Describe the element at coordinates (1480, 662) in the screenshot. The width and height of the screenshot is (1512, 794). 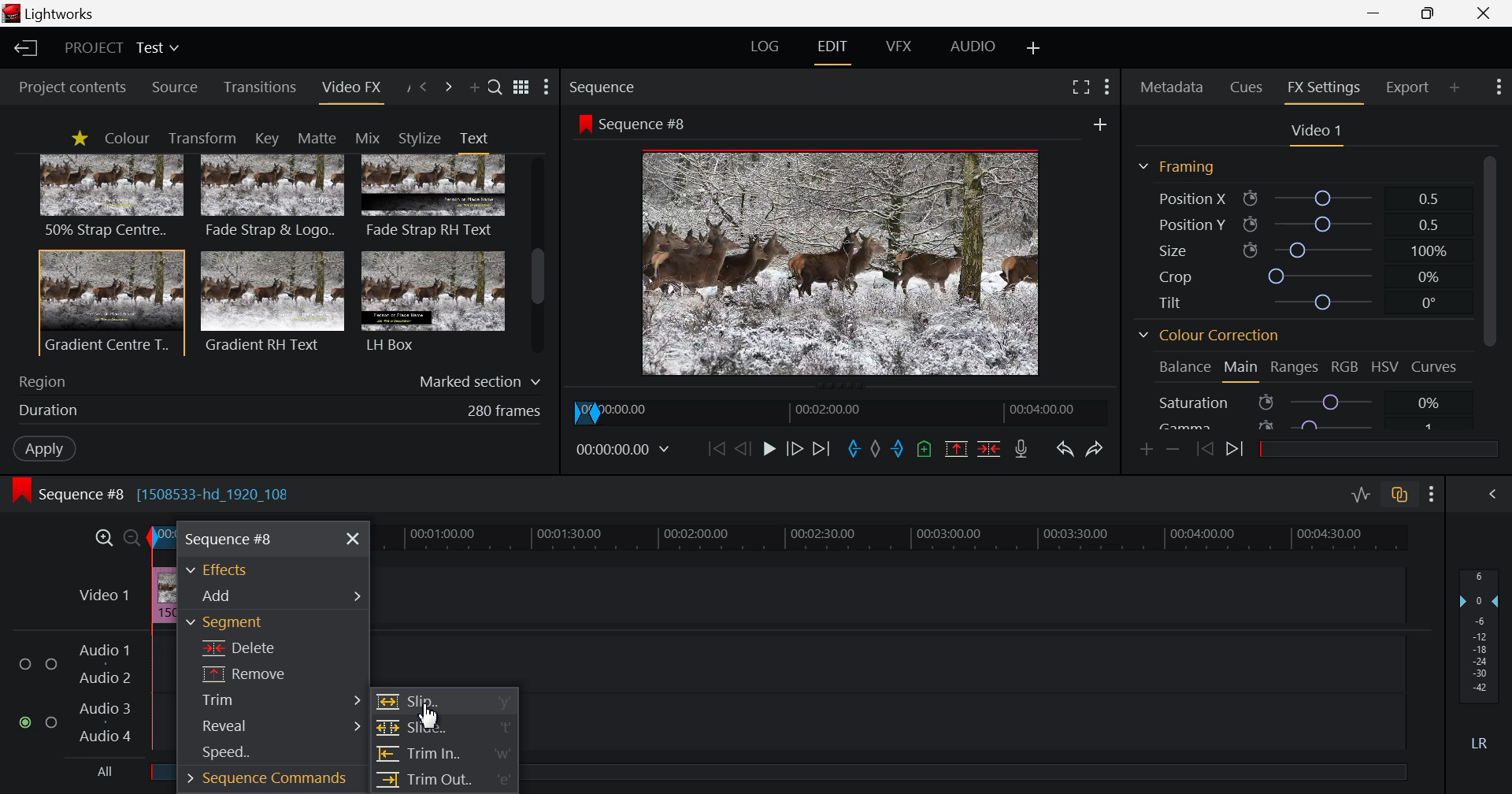
I see `Decibel Level` at that location.